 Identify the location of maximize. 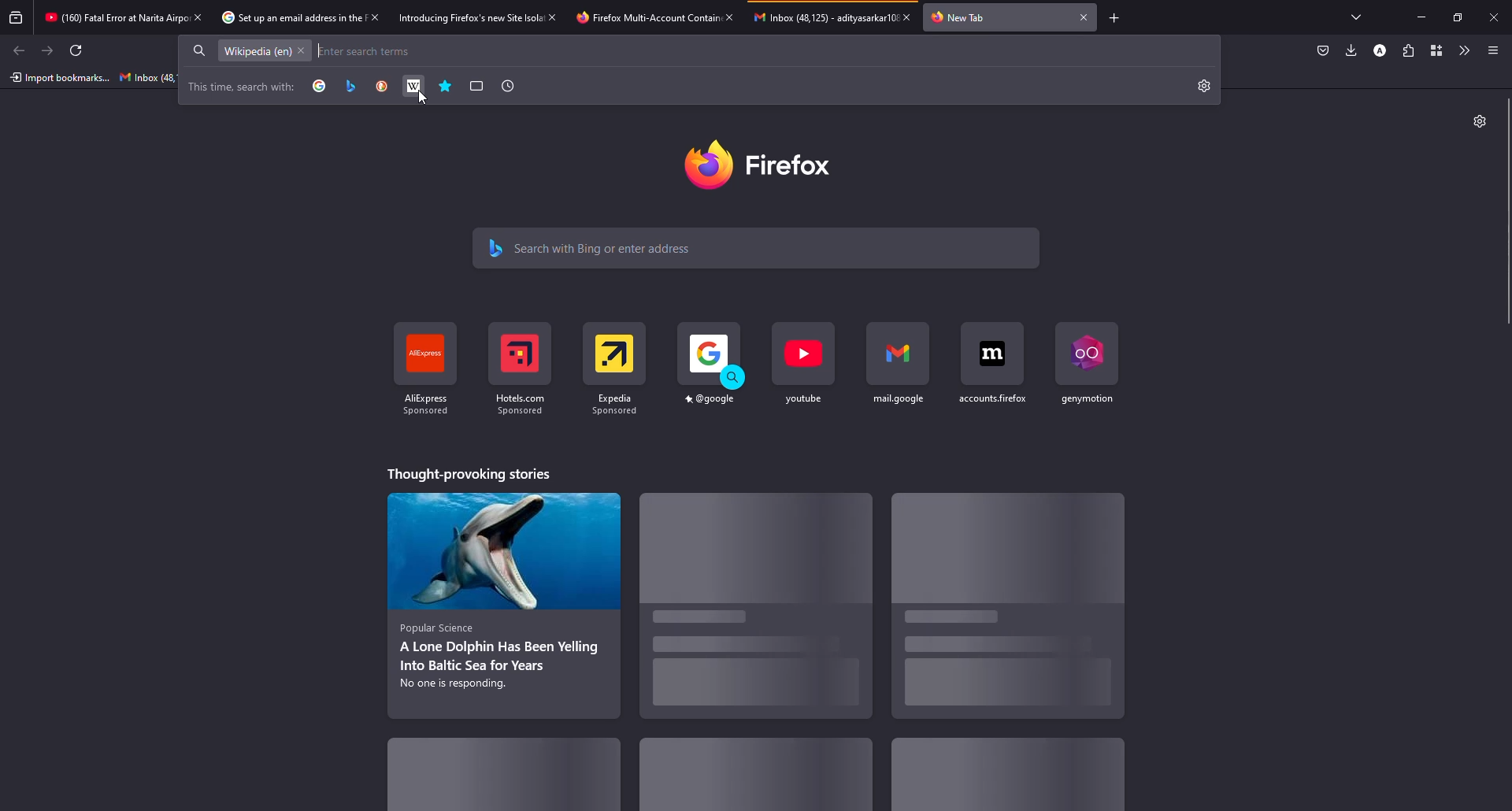
(1455, 17).